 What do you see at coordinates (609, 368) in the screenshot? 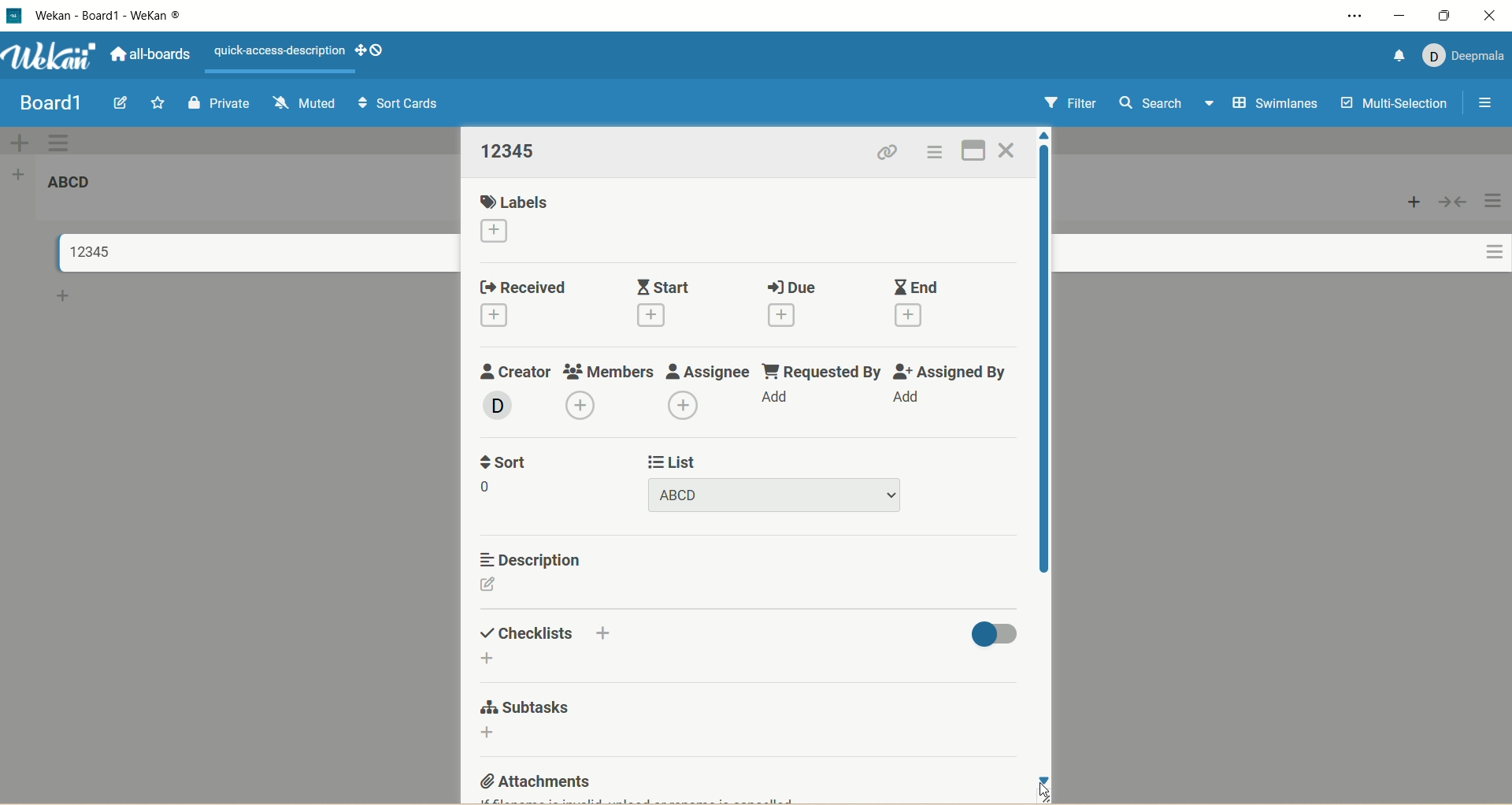
I see `members` at bounding box center [609, 368].